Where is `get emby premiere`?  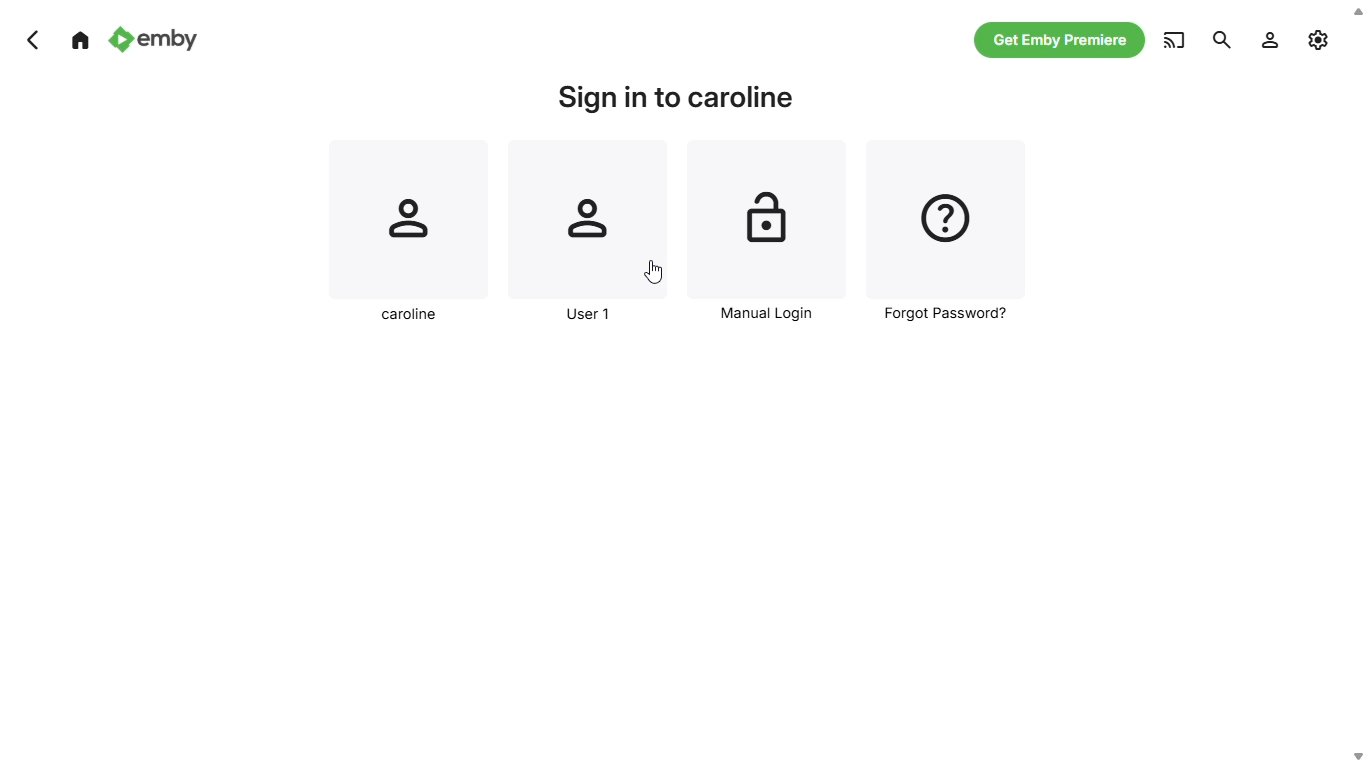 get emby premiere is located at coordinates (1063, 42).